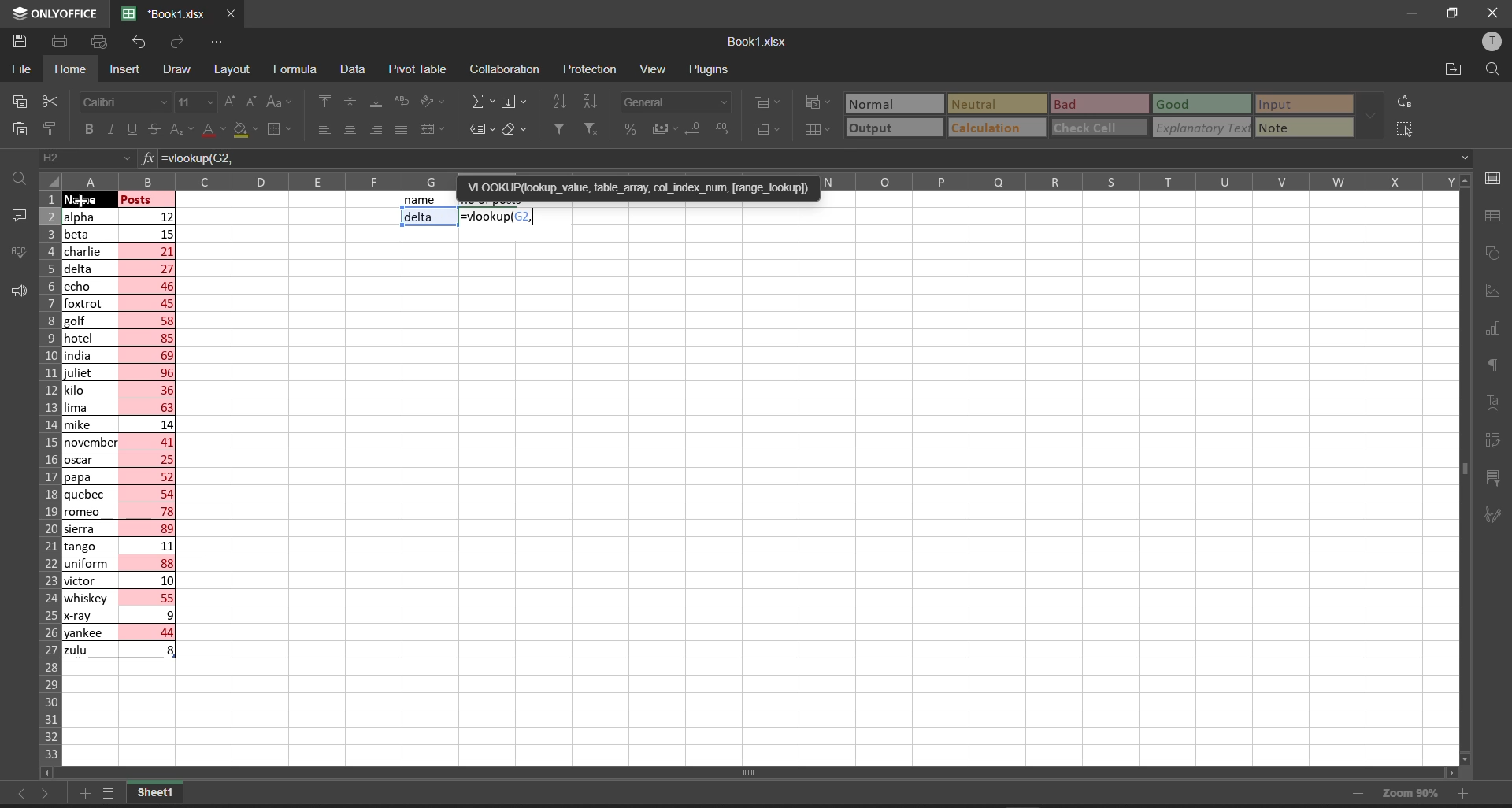 Image resolution: width=1512 pixels, height=808 pixels. What do you see at coordinates (765, 103) in the screenshot?
I see `insert cells` at bounding box center [765, 103].